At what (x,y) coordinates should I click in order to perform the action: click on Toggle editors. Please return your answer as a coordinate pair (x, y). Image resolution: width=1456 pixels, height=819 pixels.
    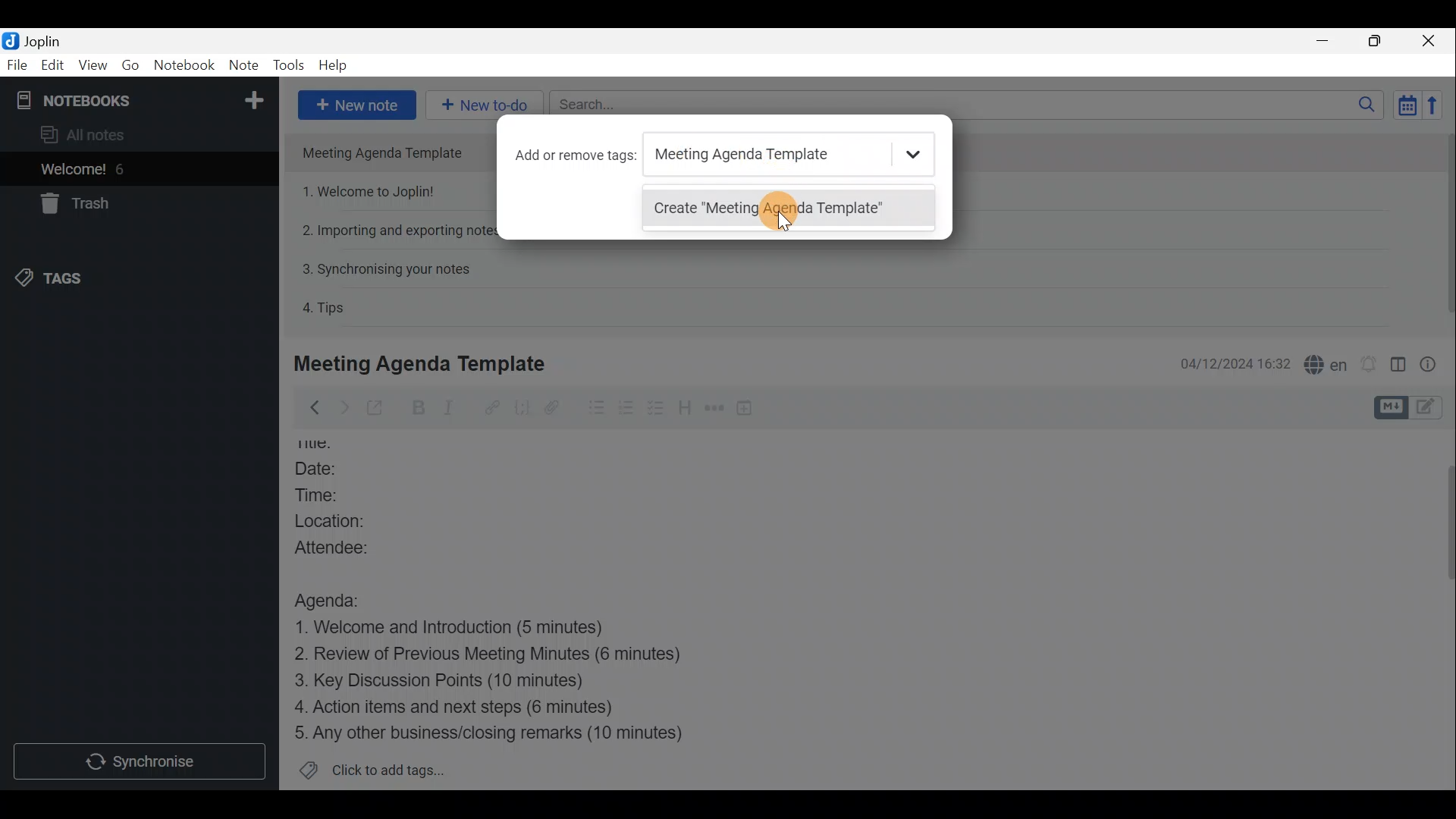
    Looking at the image, I should click on (1389, 408).